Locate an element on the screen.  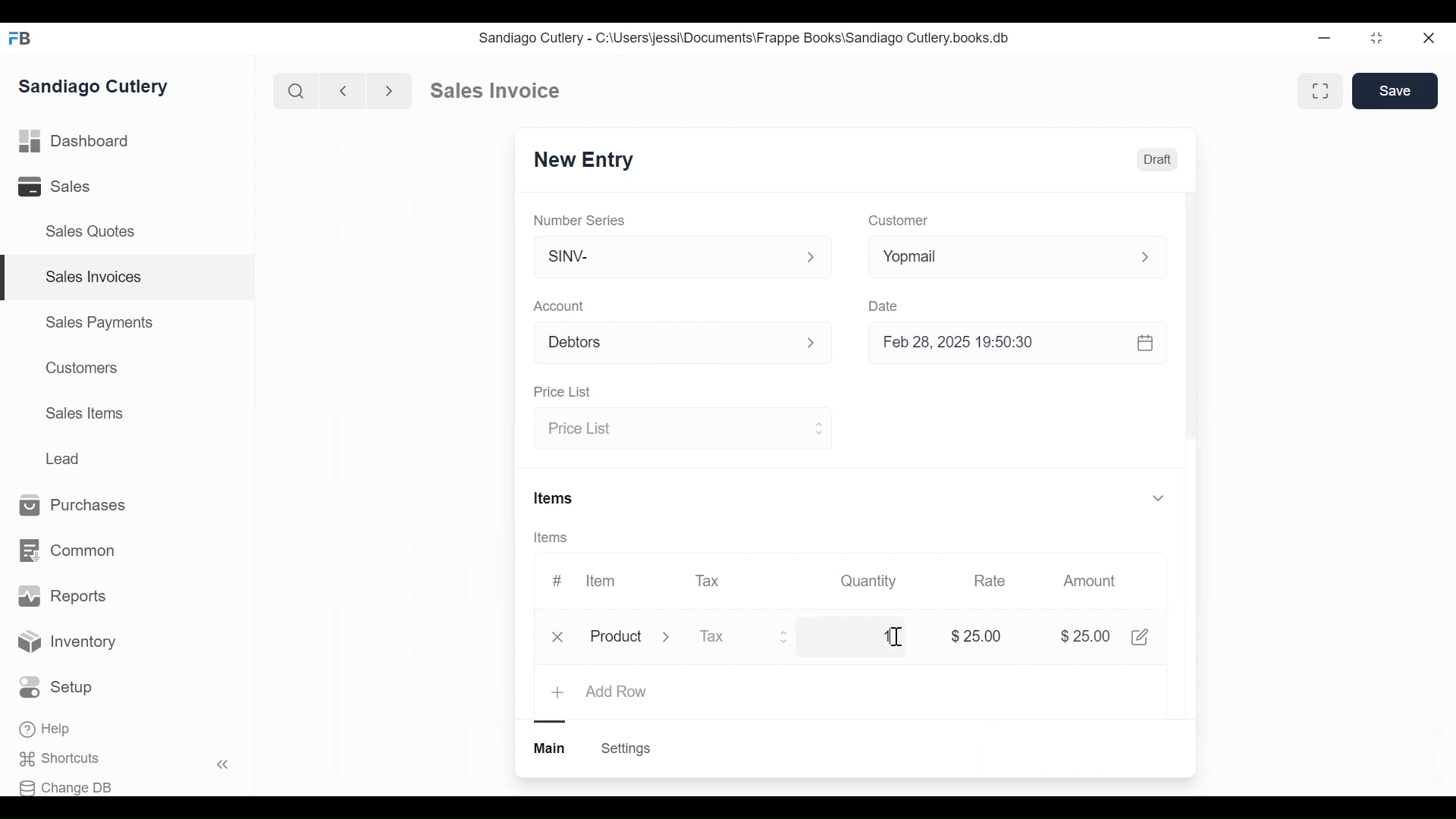
share is located at coordinates (1144, 637).